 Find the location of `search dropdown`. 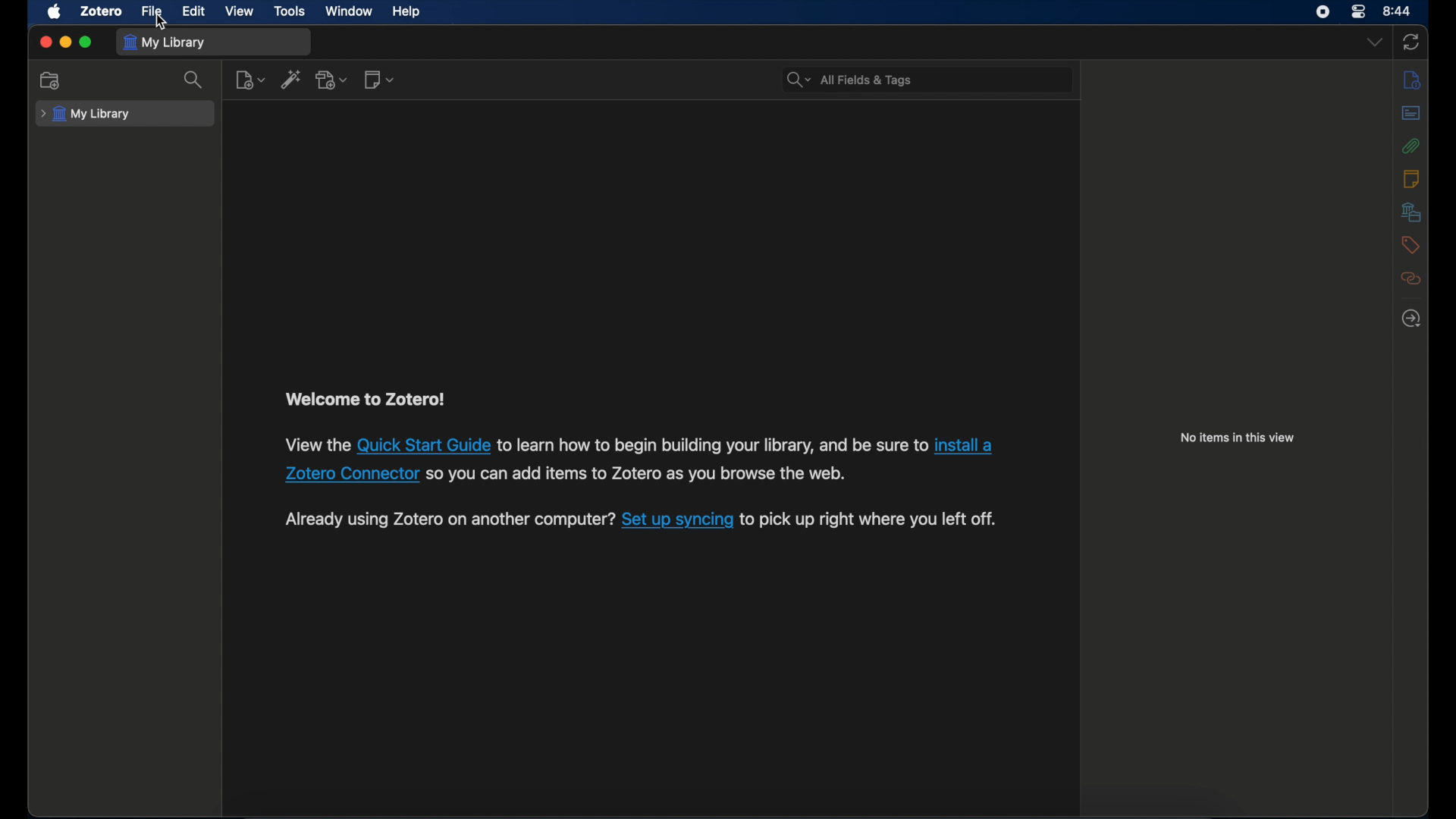

search dropdown is located at coordinates (798, 80).